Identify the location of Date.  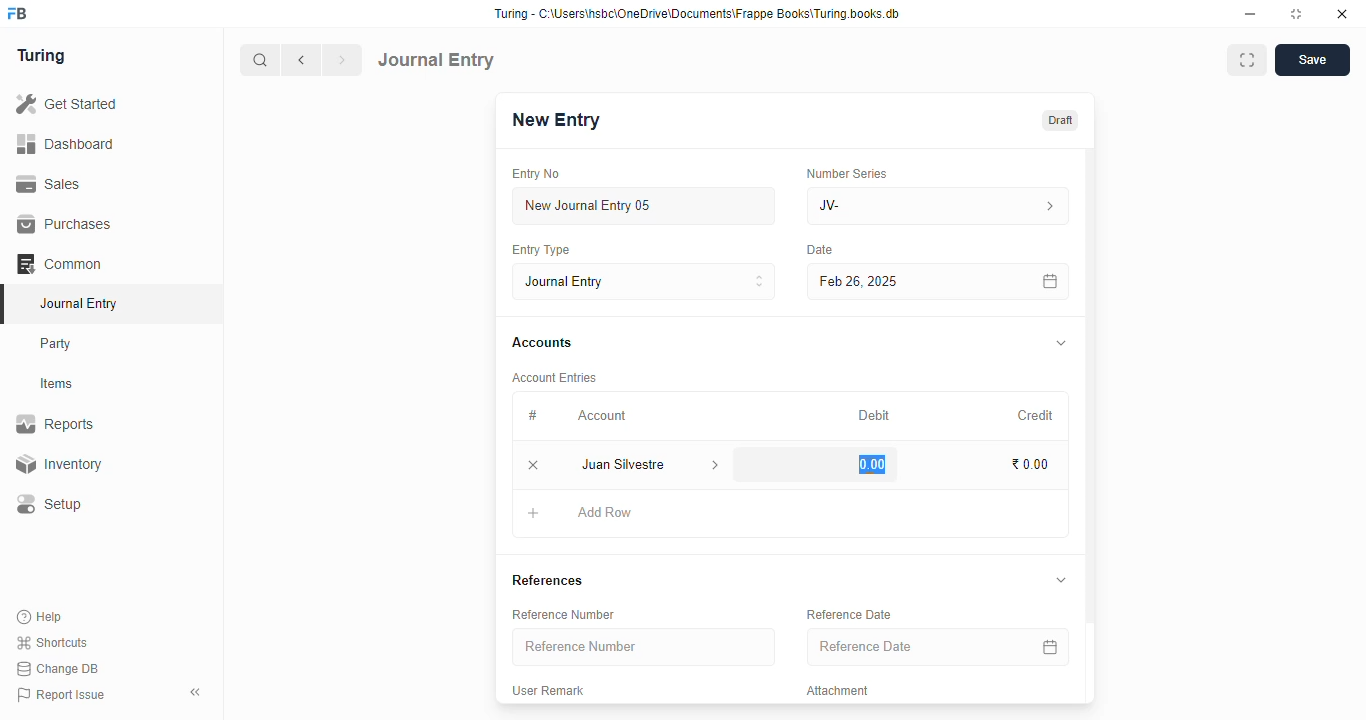
(821, 250).